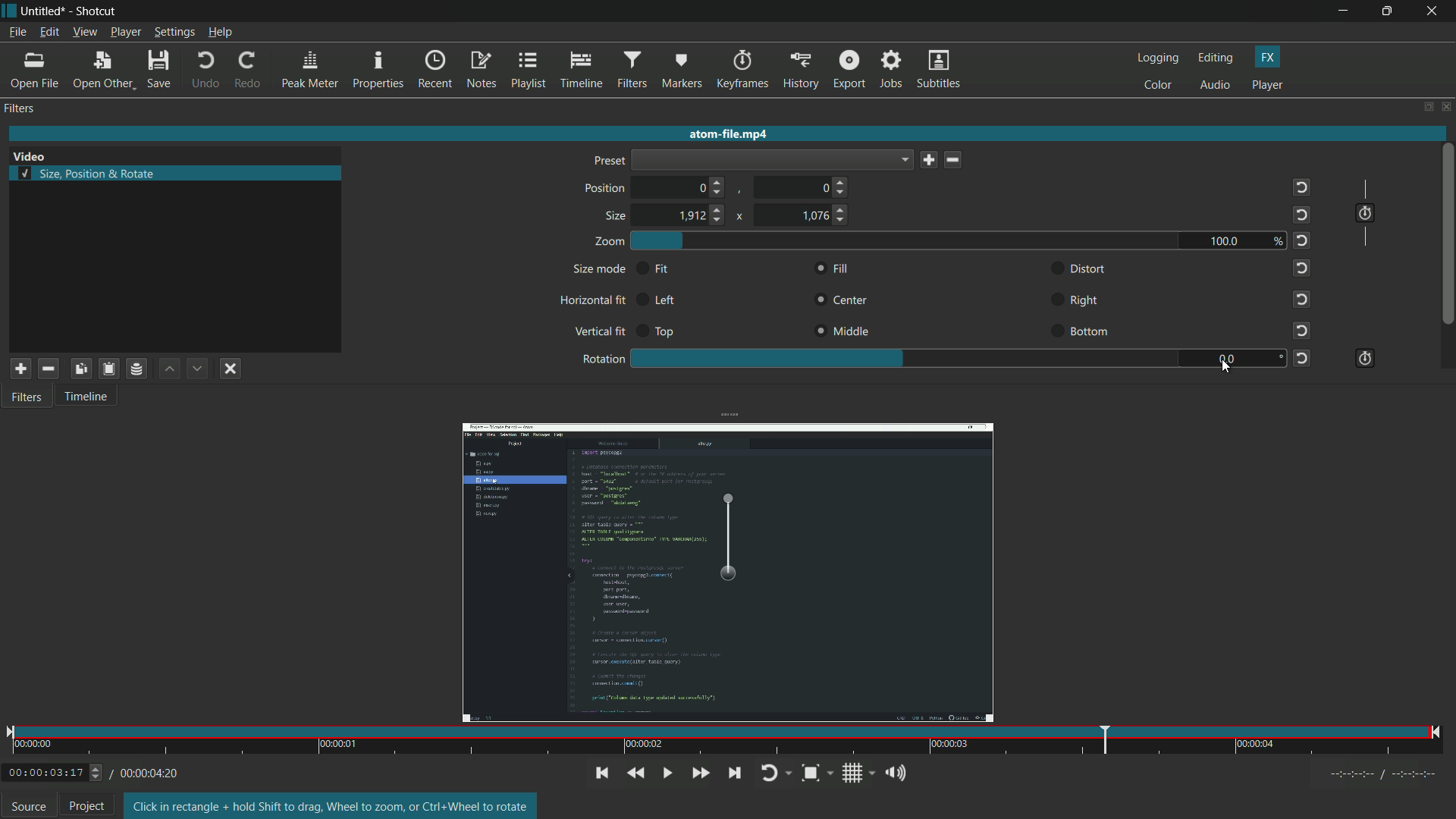  I want to click on left, so click(666, 301).